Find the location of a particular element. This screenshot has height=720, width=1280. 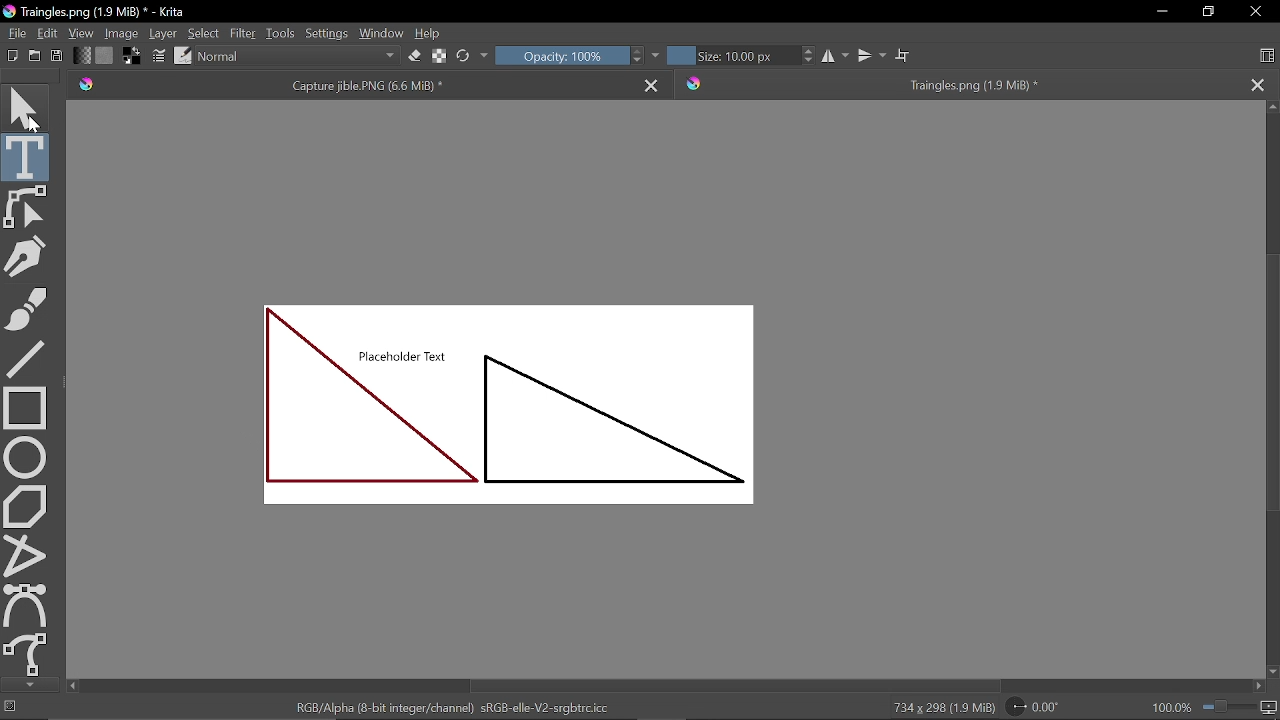

Image is located at coordinates (123, 33).